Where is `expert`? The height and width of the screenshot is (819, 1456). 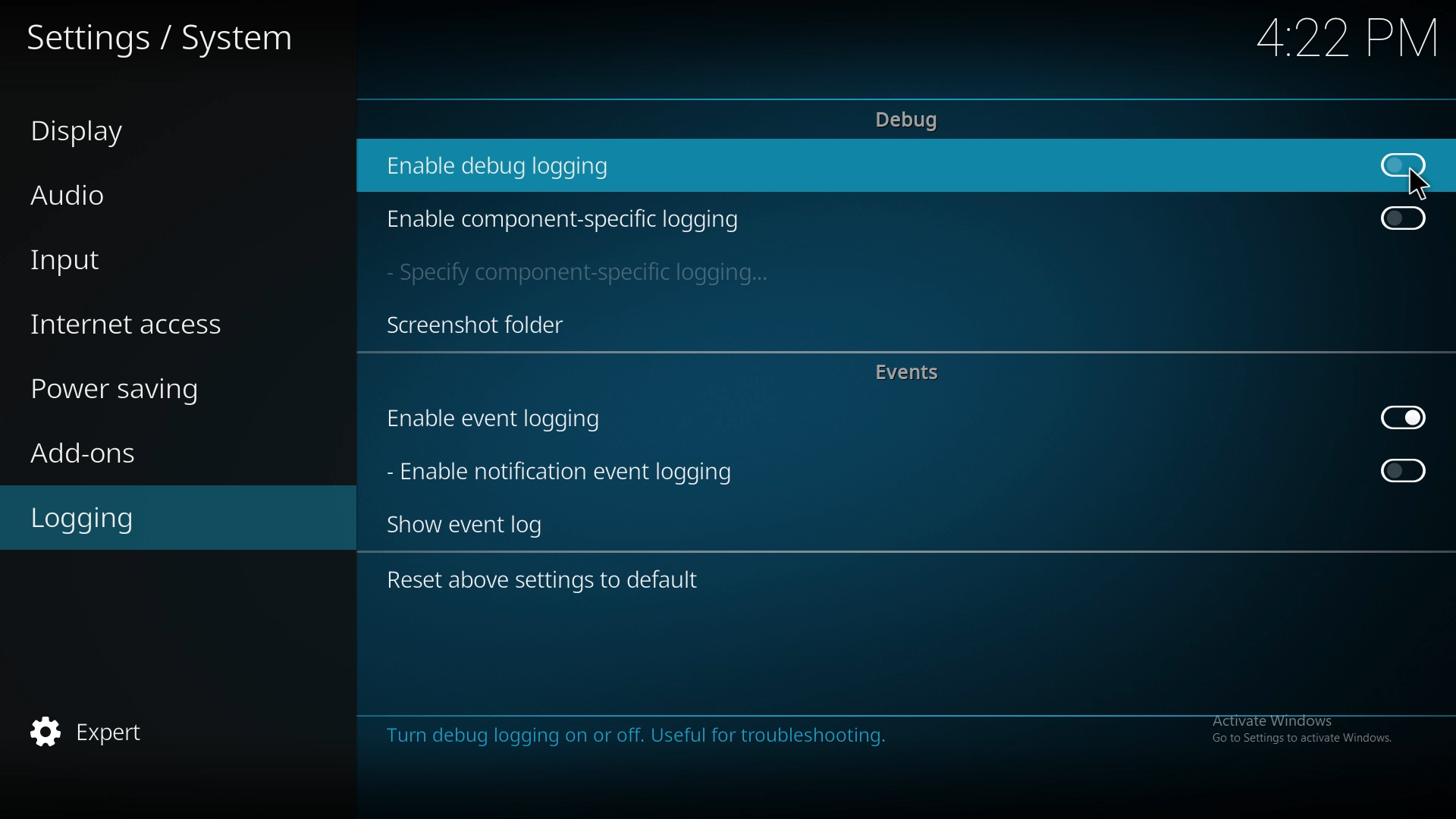
expert is located at coordinates (151, 733).